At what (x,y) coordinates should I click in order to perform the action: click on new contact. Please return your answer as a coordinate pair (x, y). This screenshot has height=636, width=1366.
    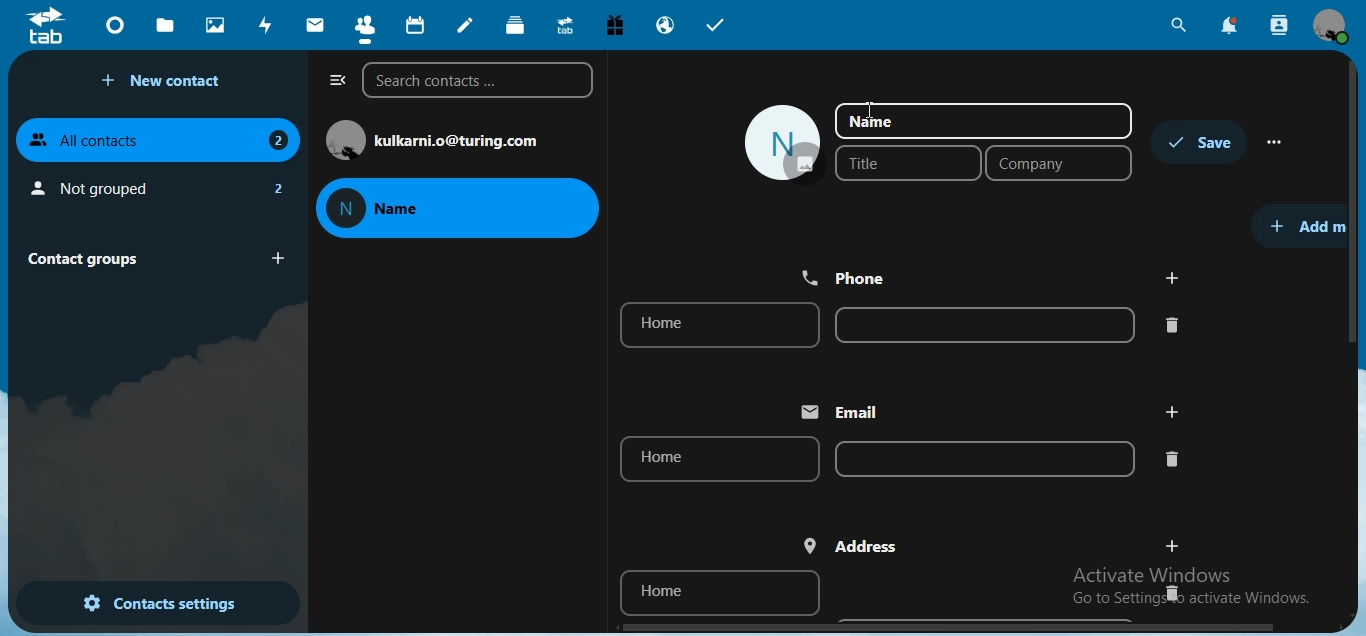
    Looking at the image, I should click on (165, 81).